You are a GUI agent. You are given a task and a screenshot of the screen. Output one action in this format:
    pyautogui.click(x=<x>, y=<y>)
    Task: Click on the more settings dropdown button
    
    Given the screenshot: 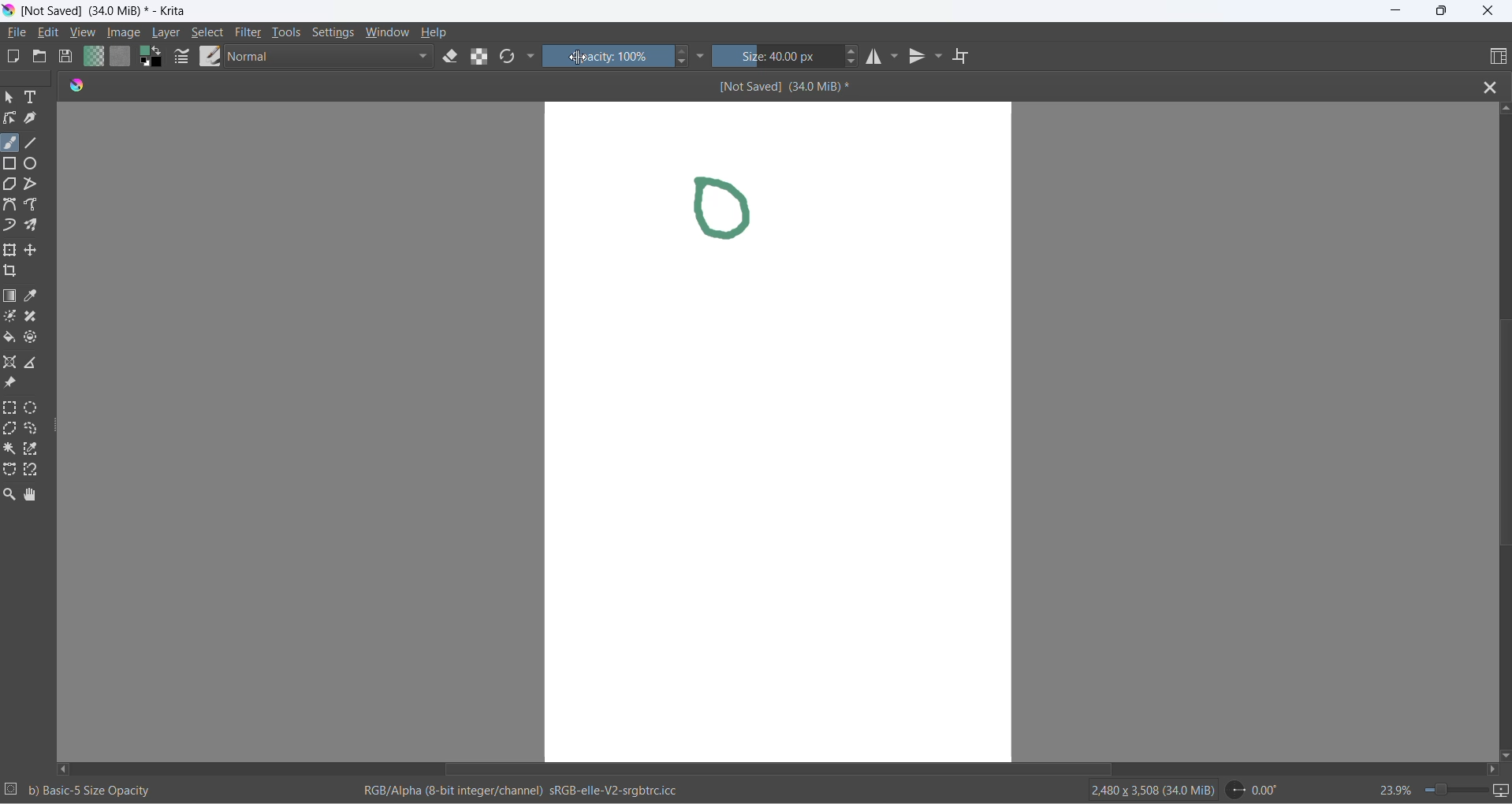 What is the action you would take?
    pyautogui.click(x=701, y=55)
    